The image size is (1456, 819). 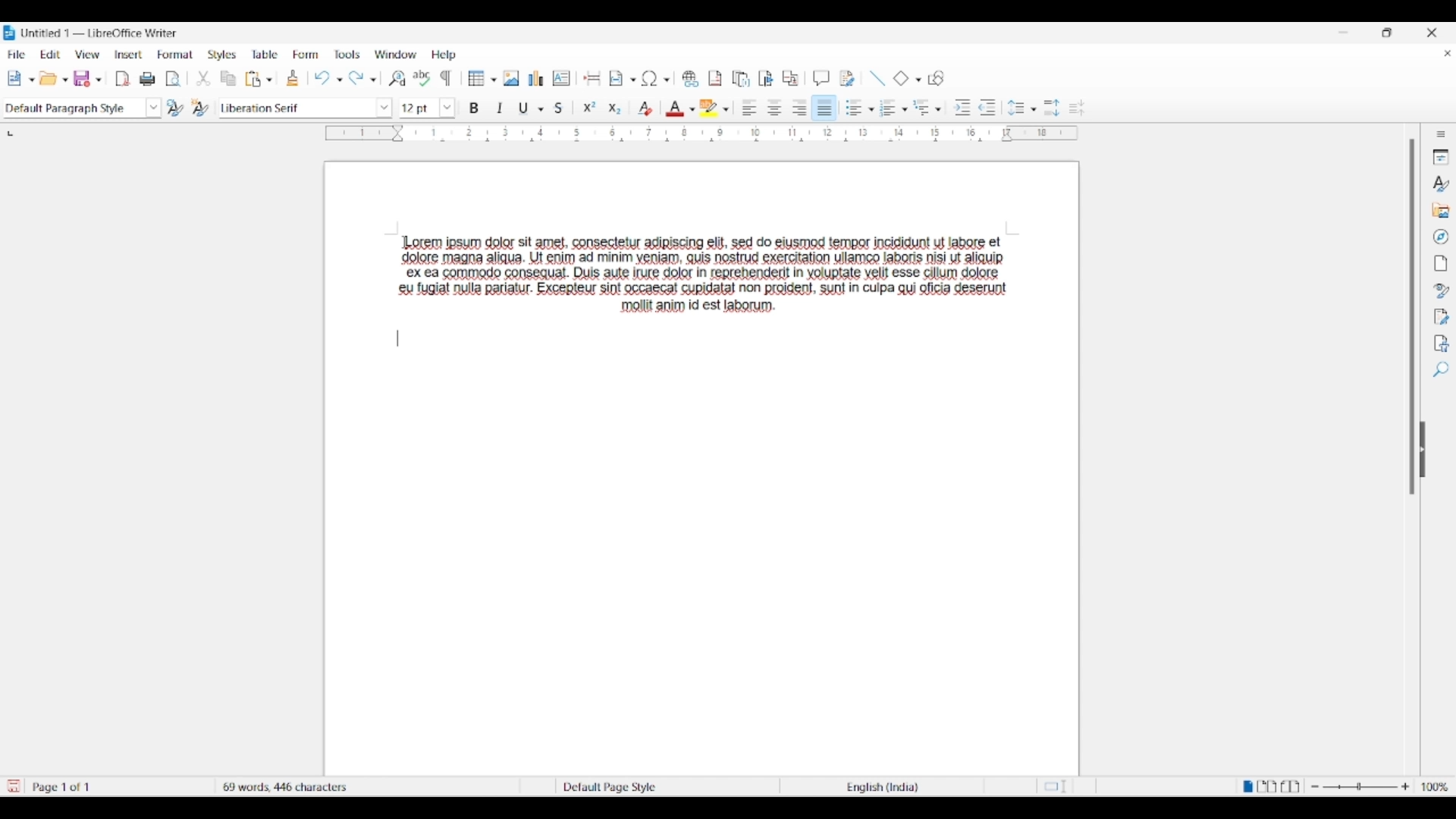 What do you see at coordinates (1442, 317) in the screenshot?
I see `Manage changes` at bounding box center [1442, 317].